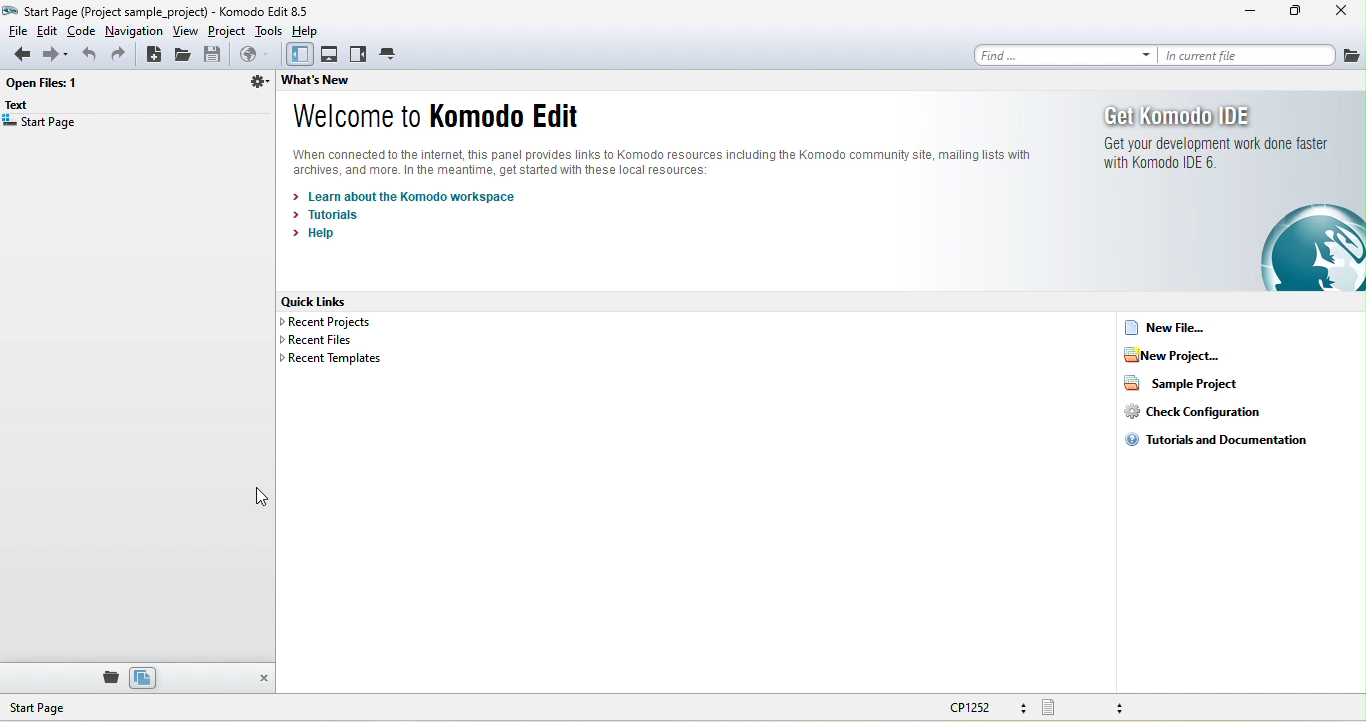 The height and width of the screenshot is (722, 1366). I want to click on tutorials, so click(334, 215).